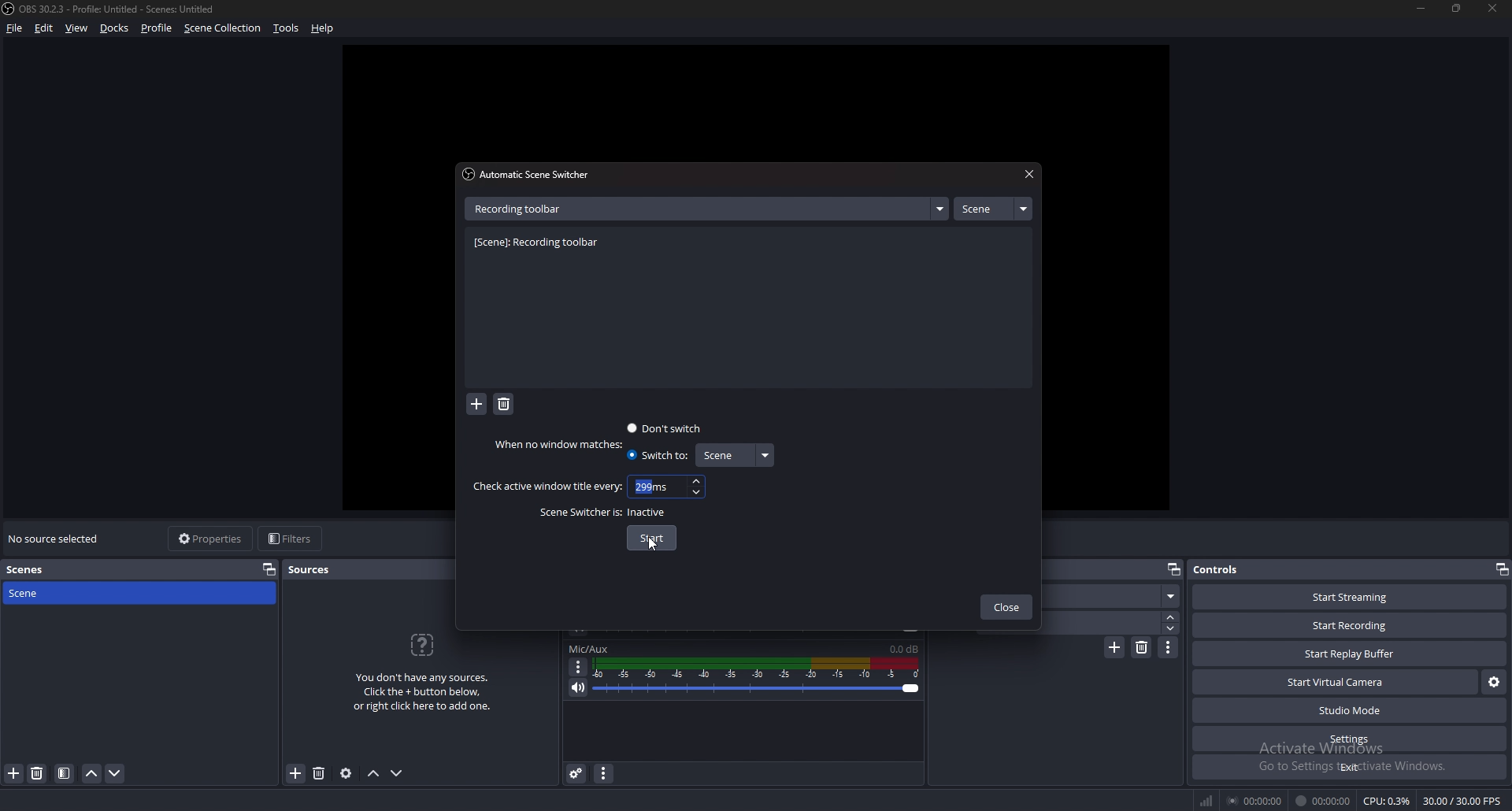 This screenshot has width=1512, height=811. I want to click on info, so click(423, 670).